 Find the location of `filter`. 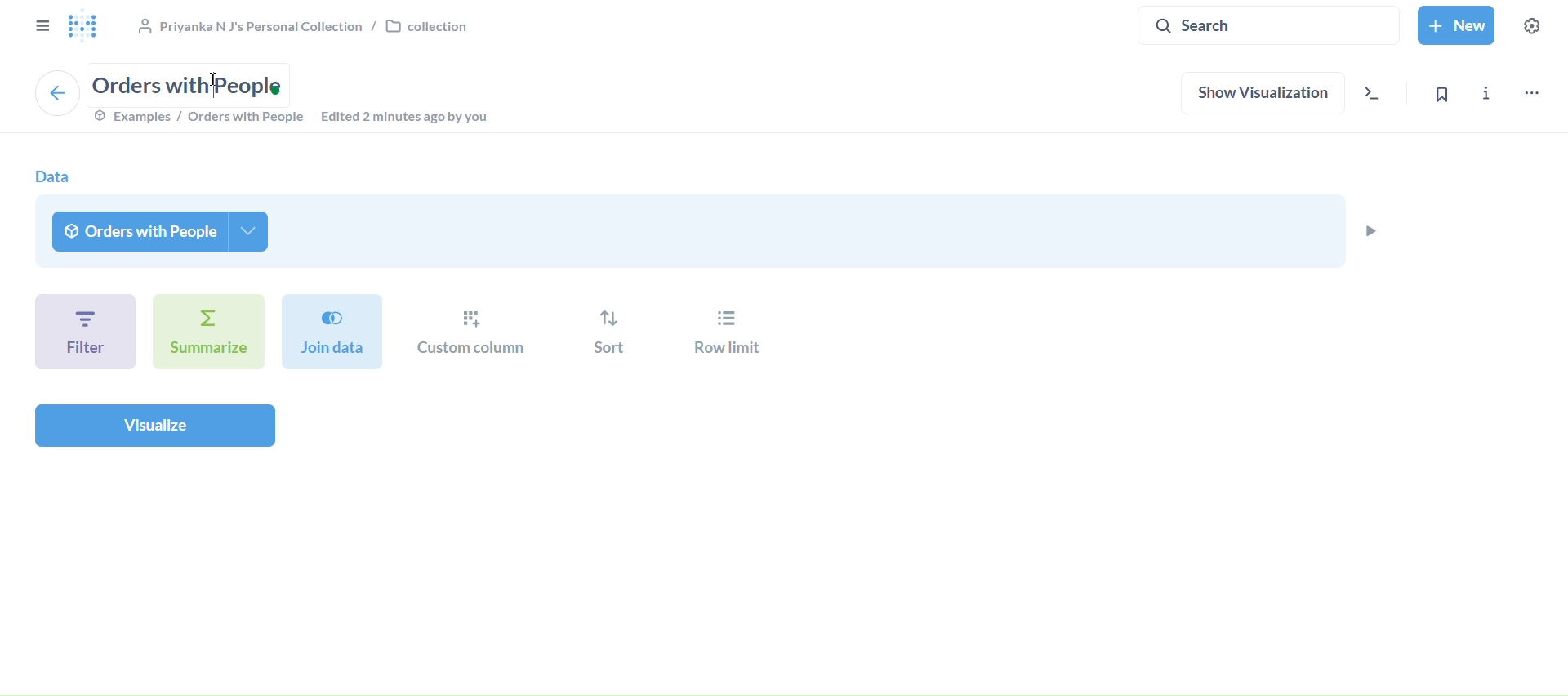

filter is located at coordinates (84, 330).